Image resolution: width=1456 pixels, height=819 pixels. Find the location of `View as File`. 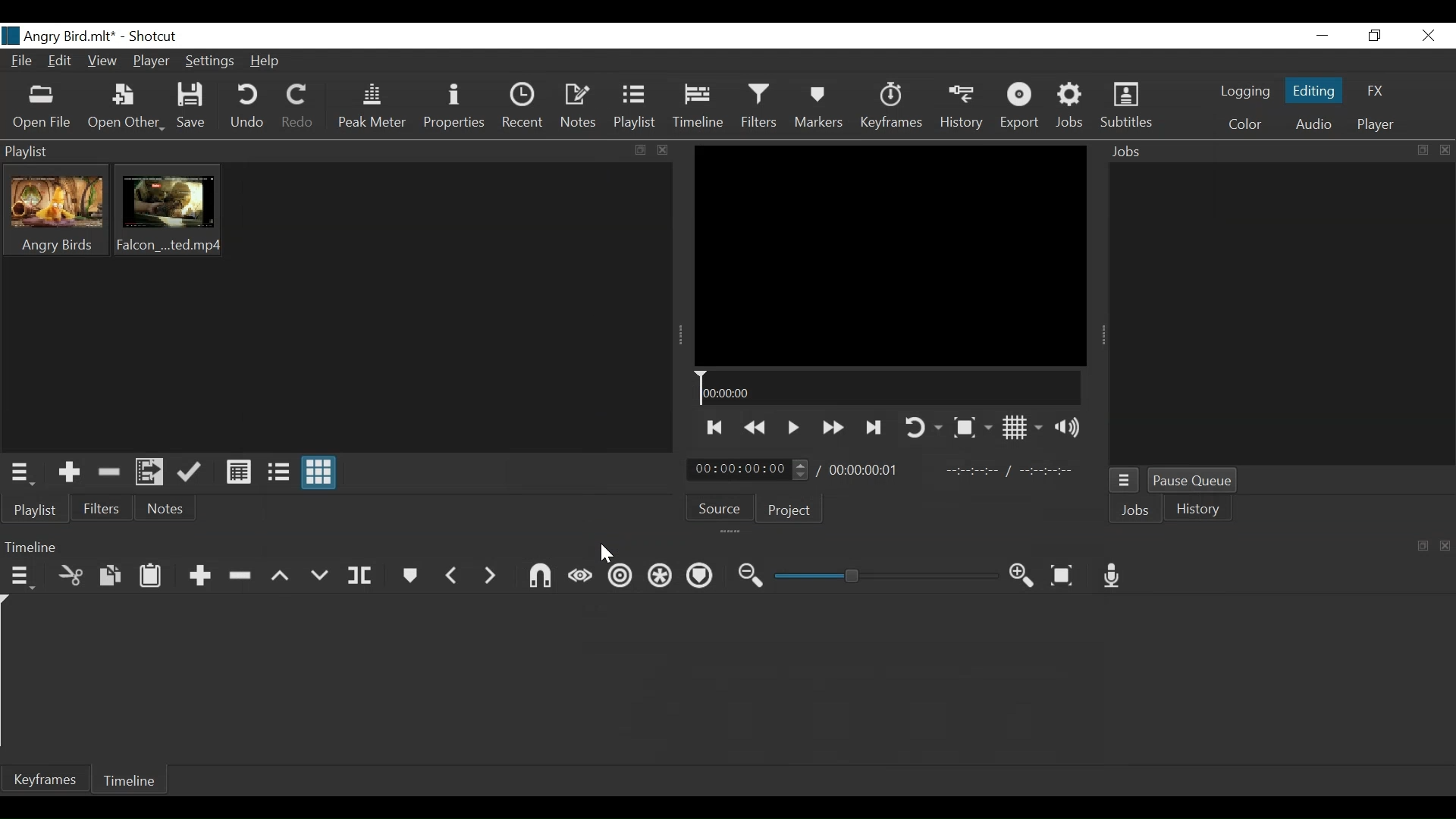

View as File is located at coordinates (279, 472).